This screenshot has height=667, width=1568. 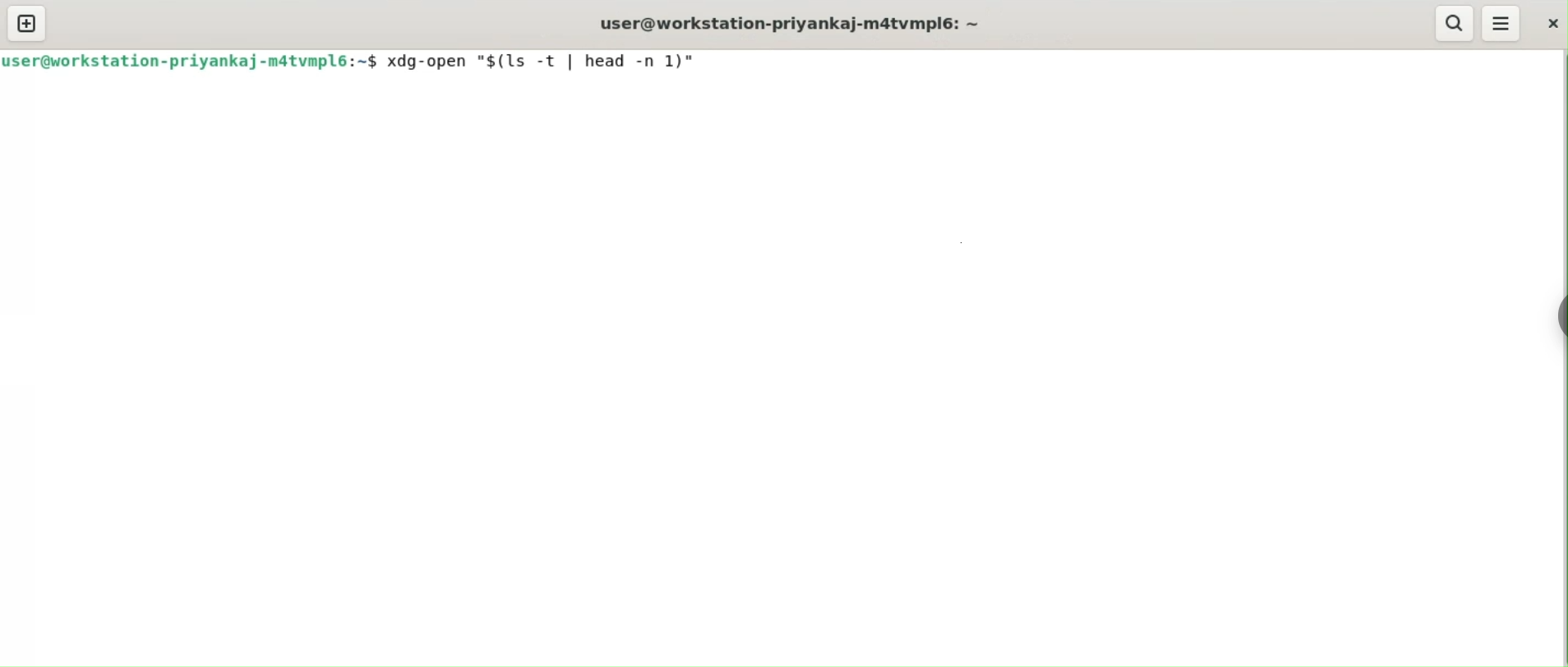 What do you see at coordinates (546, 61) in the screenshot?
I see `command` at bounding box center [546, 61].